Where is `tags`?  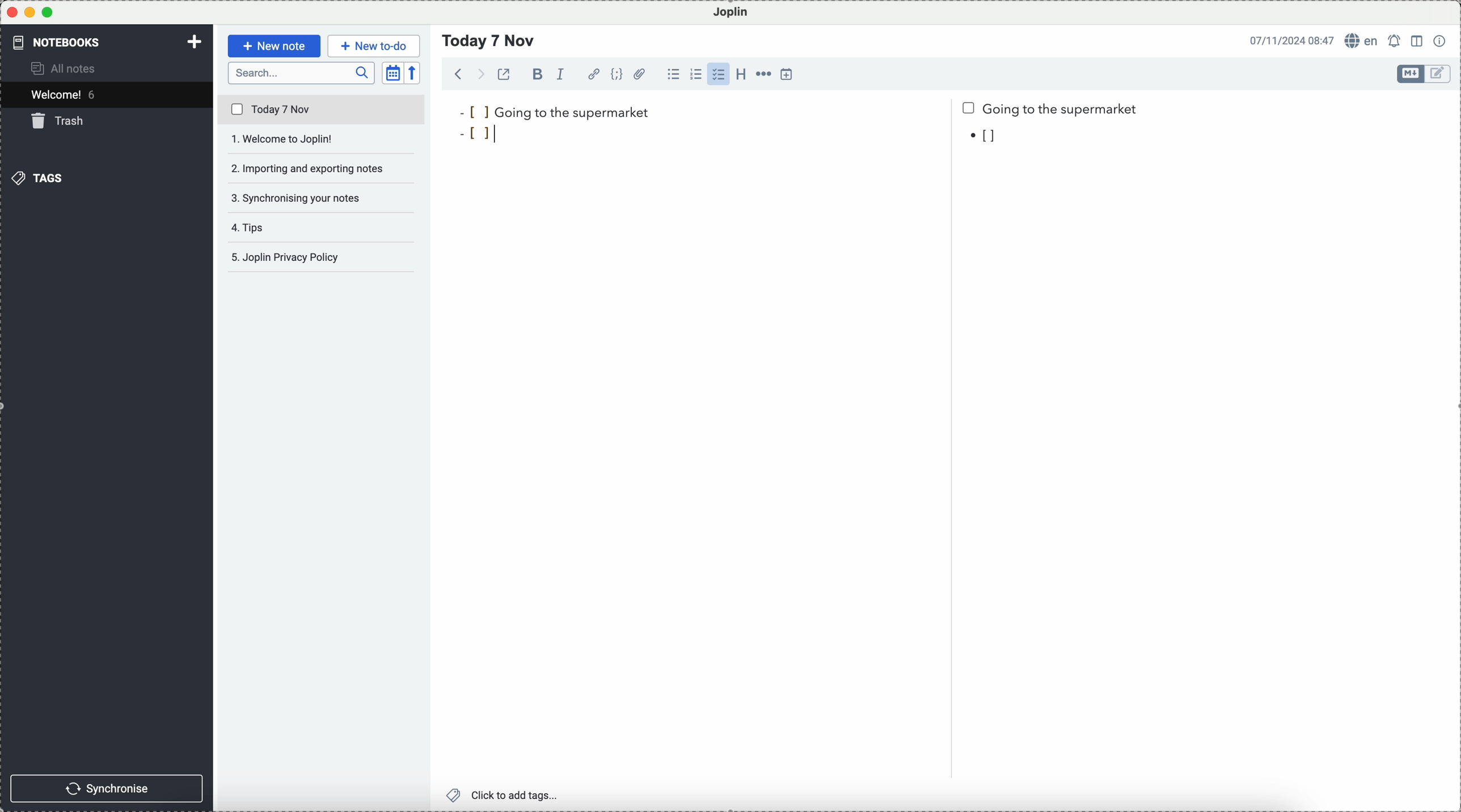
tags is located at coordinates (37, 178).